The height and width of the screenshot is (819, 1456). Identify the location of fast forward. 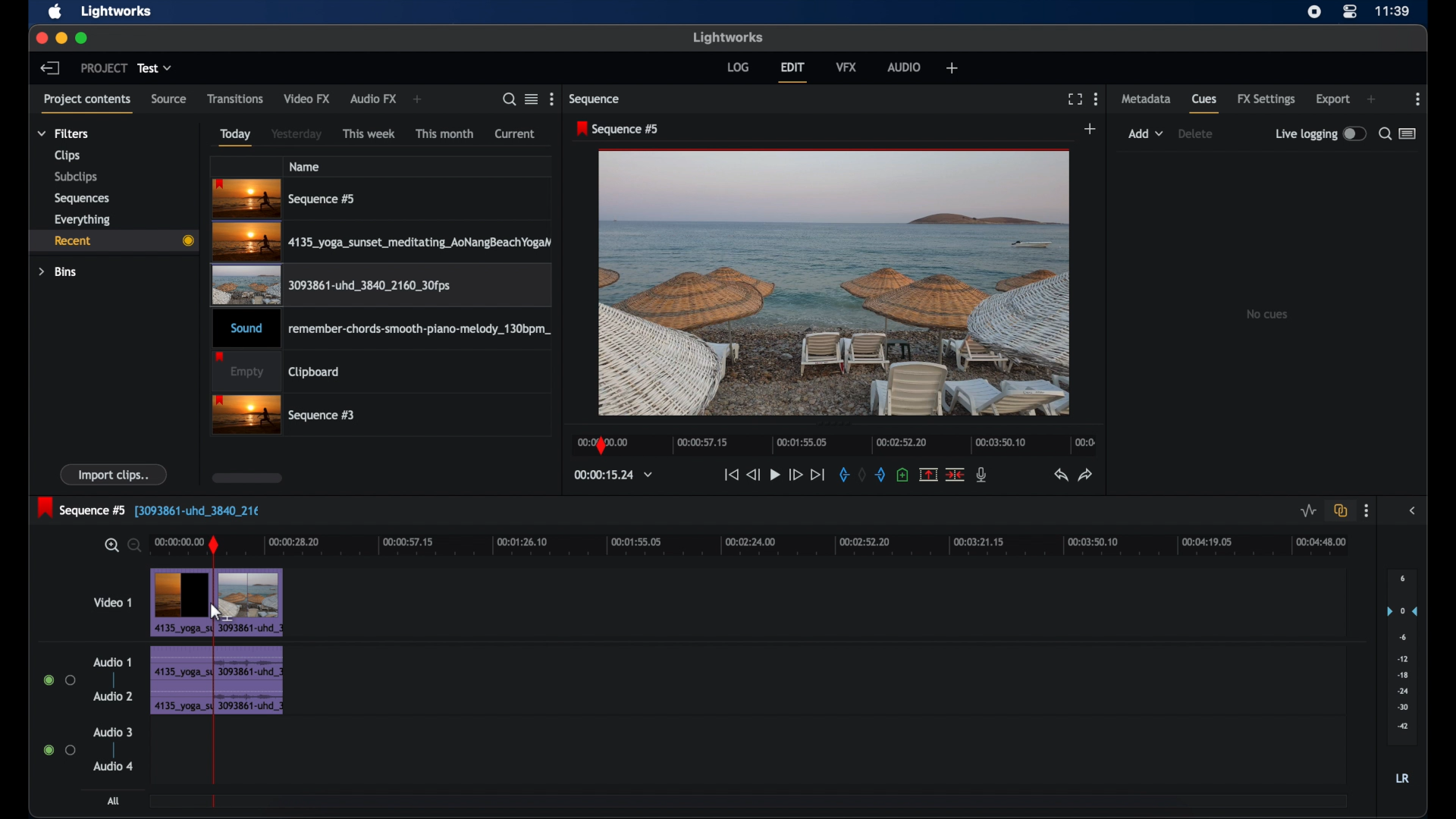
(795, 475).